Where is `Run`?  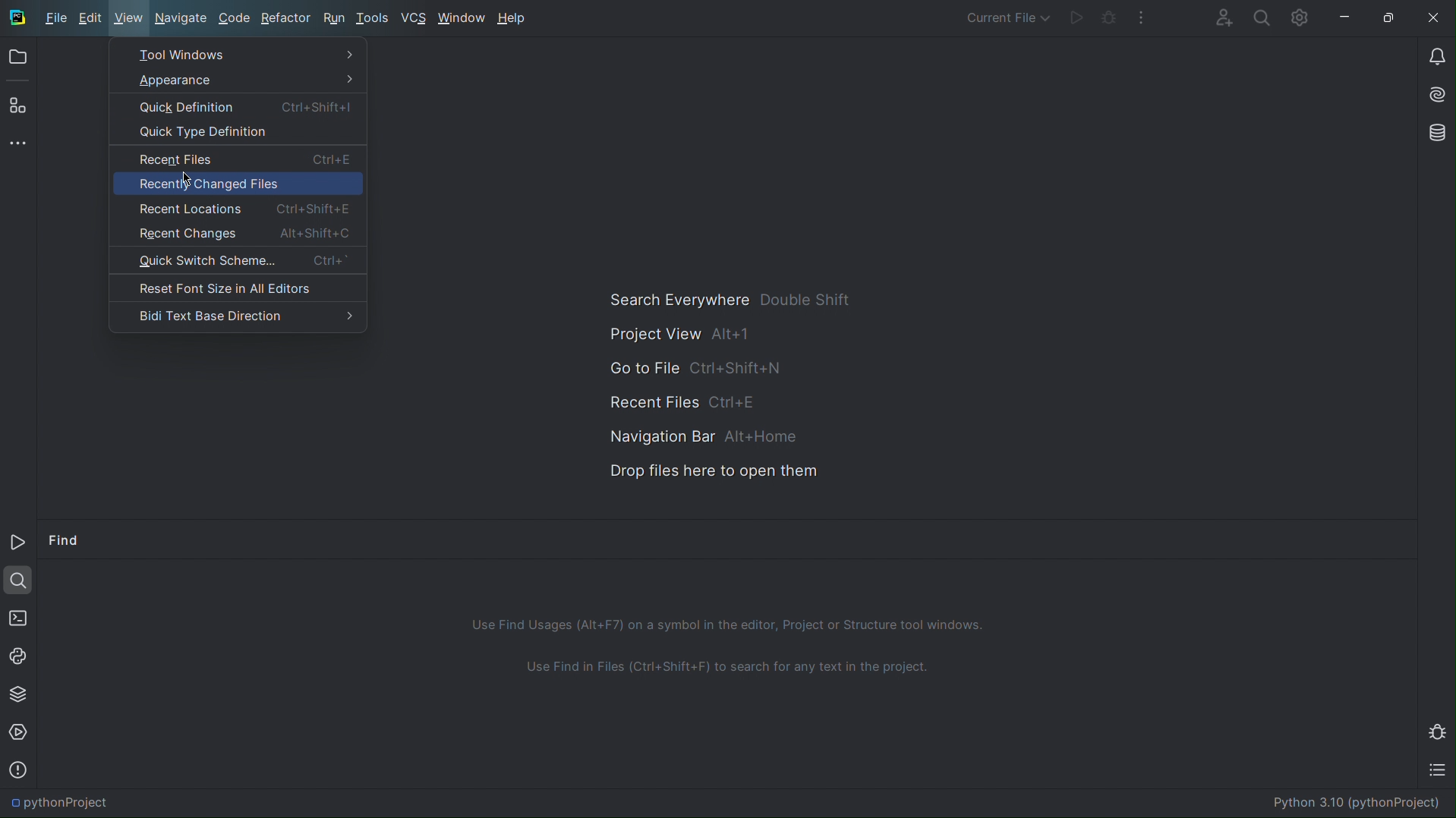 Run is located at coordinates (1078, 16).